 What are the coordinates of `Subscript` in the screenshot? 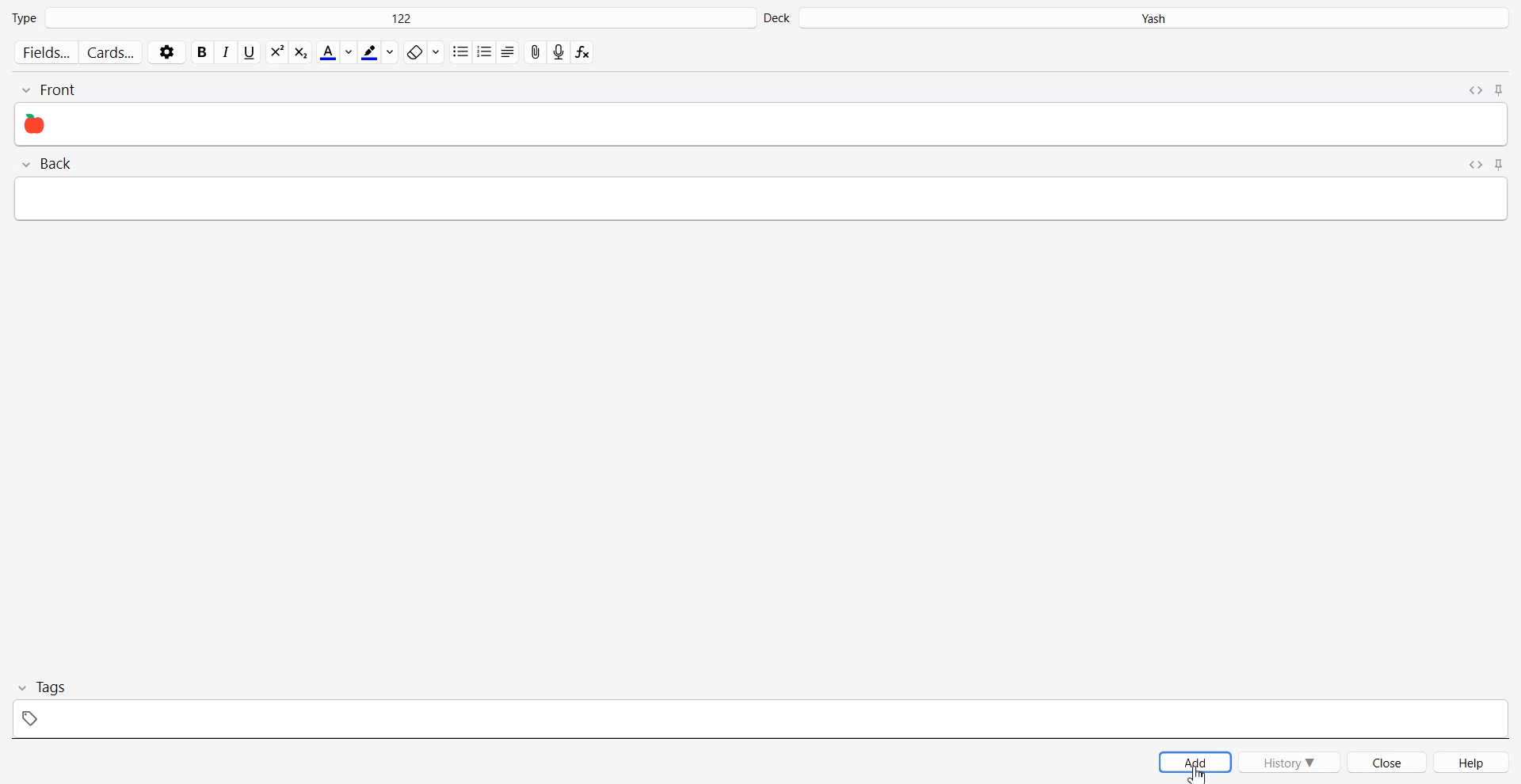 It's located at (276, 51).